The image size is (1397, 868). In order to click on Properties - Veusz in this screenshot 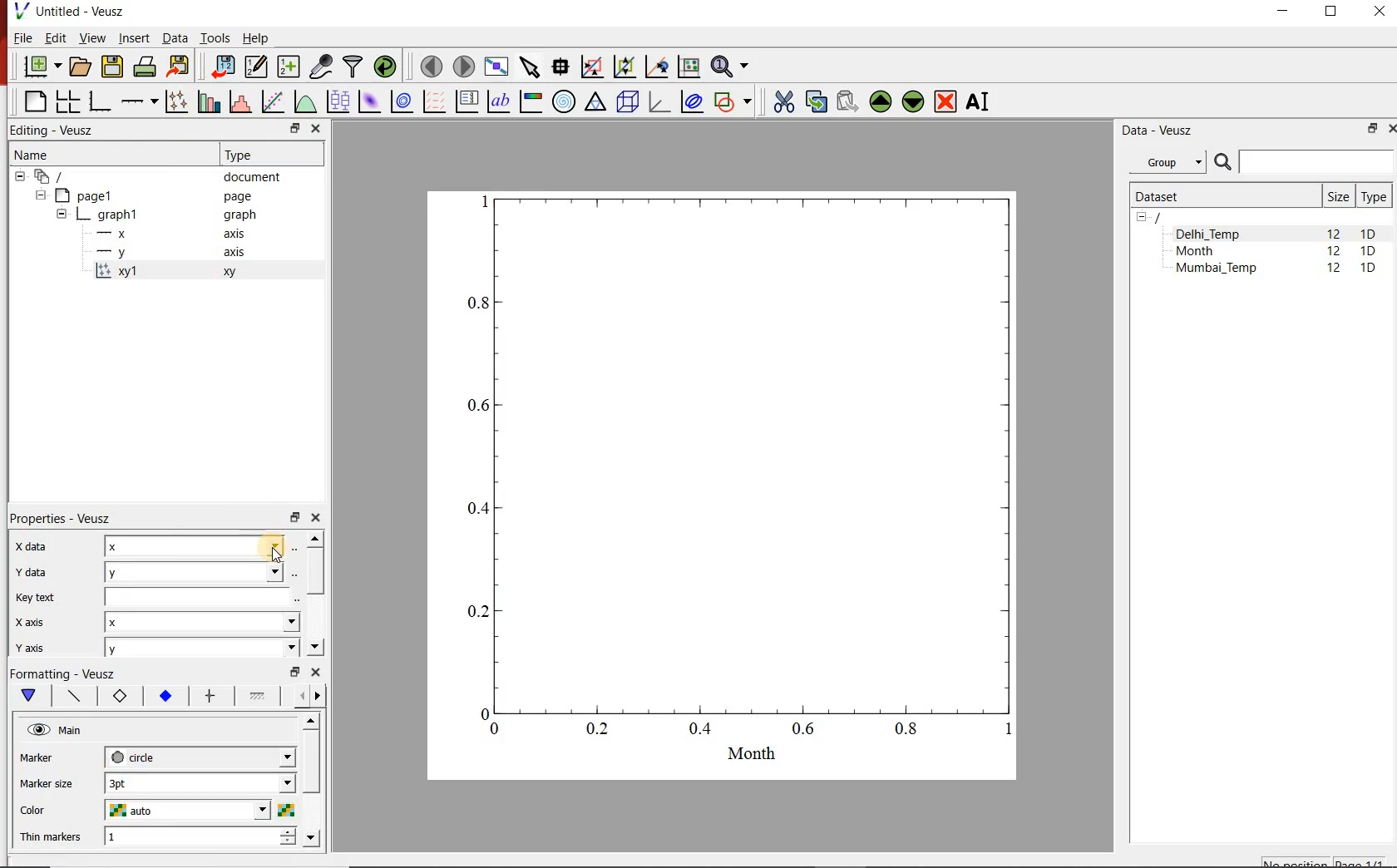, I will do `click(57, 519)`.